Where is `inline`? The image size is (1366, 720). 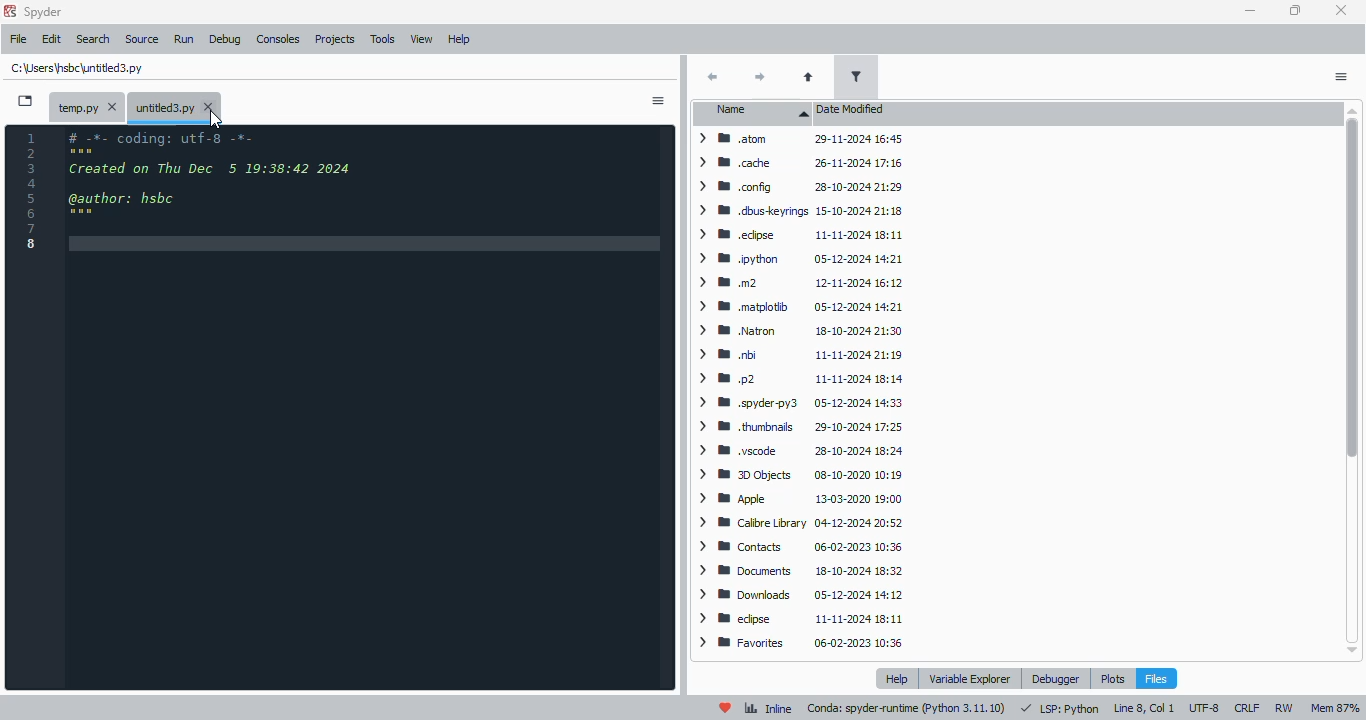 inline is located at coordinates (768, 708).